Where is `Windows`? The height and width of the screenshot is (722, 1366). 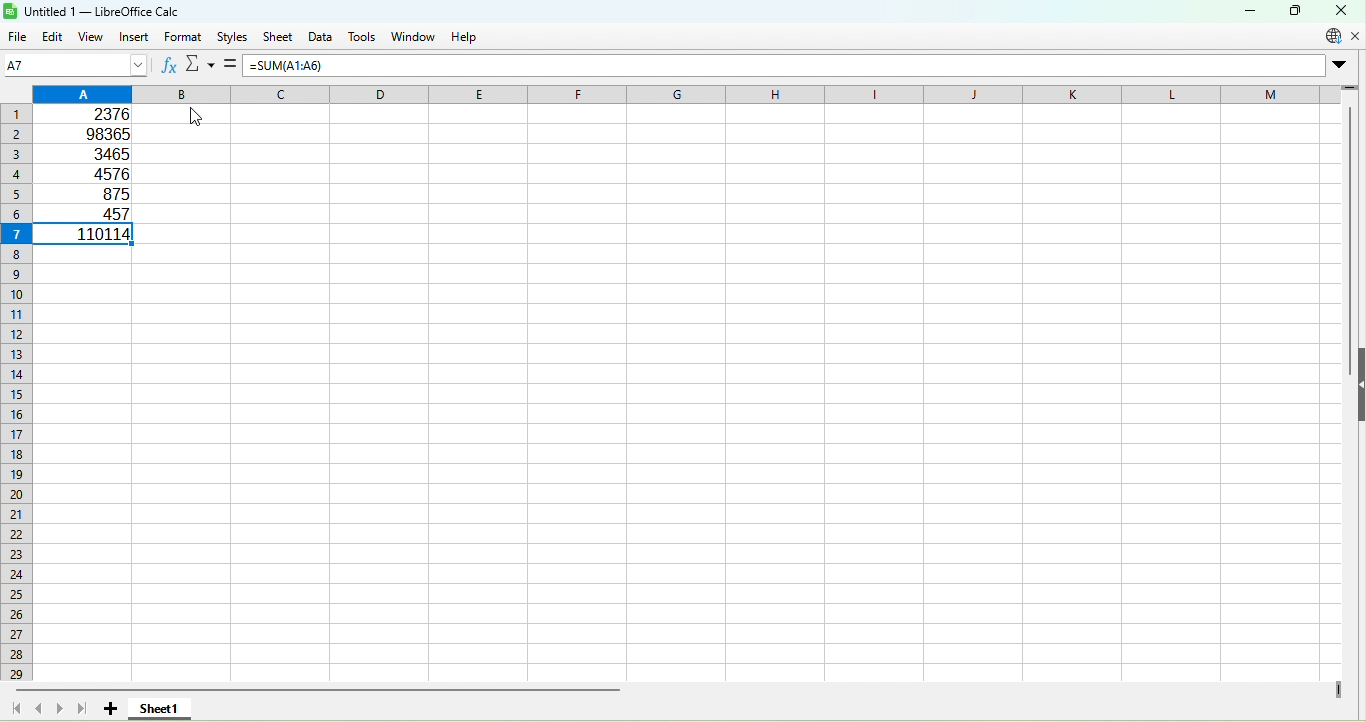 Windows is located at coordinates (416, 36).